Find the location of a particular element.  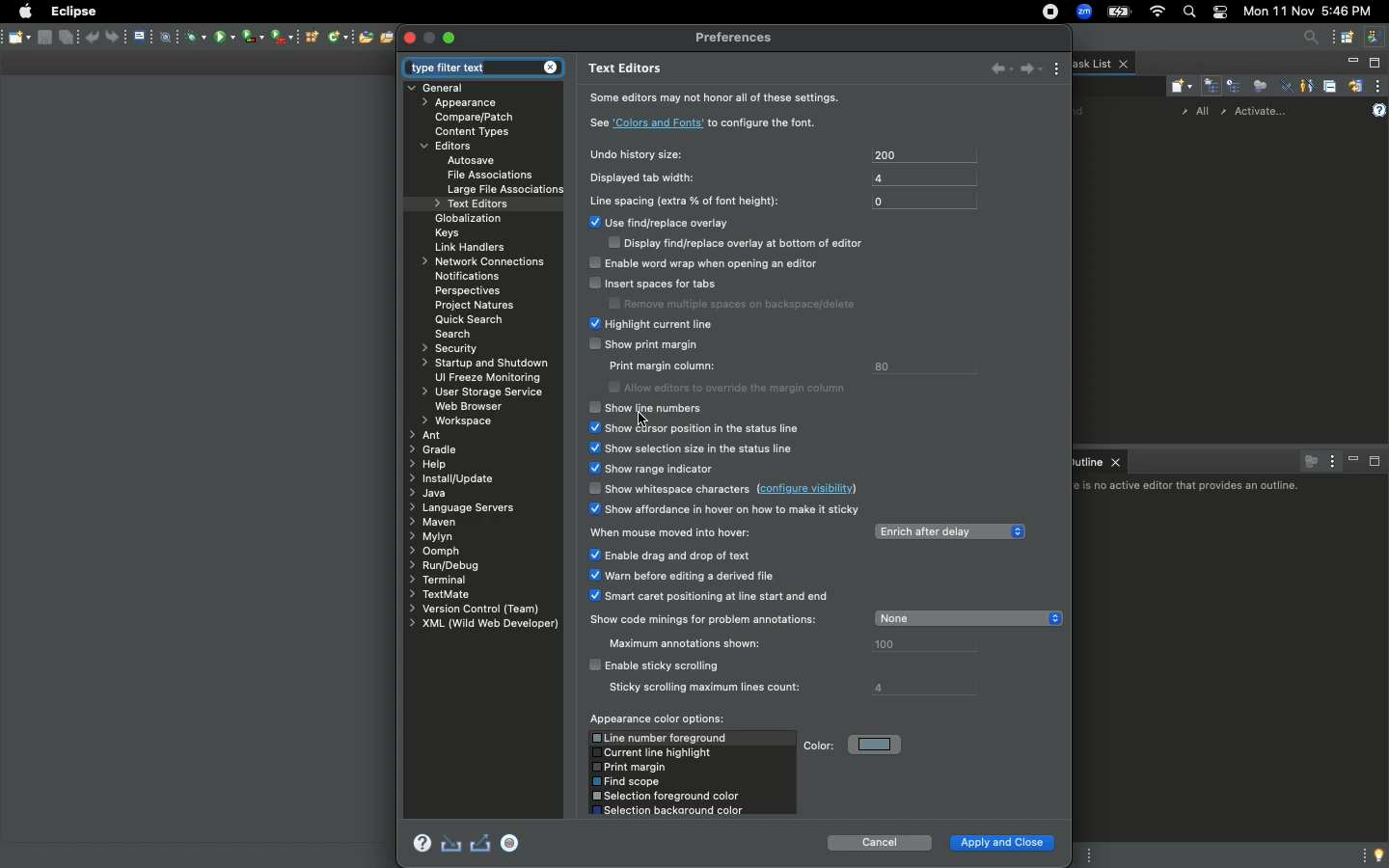

Use find/replace overlay is located at coordinates (727, 237).